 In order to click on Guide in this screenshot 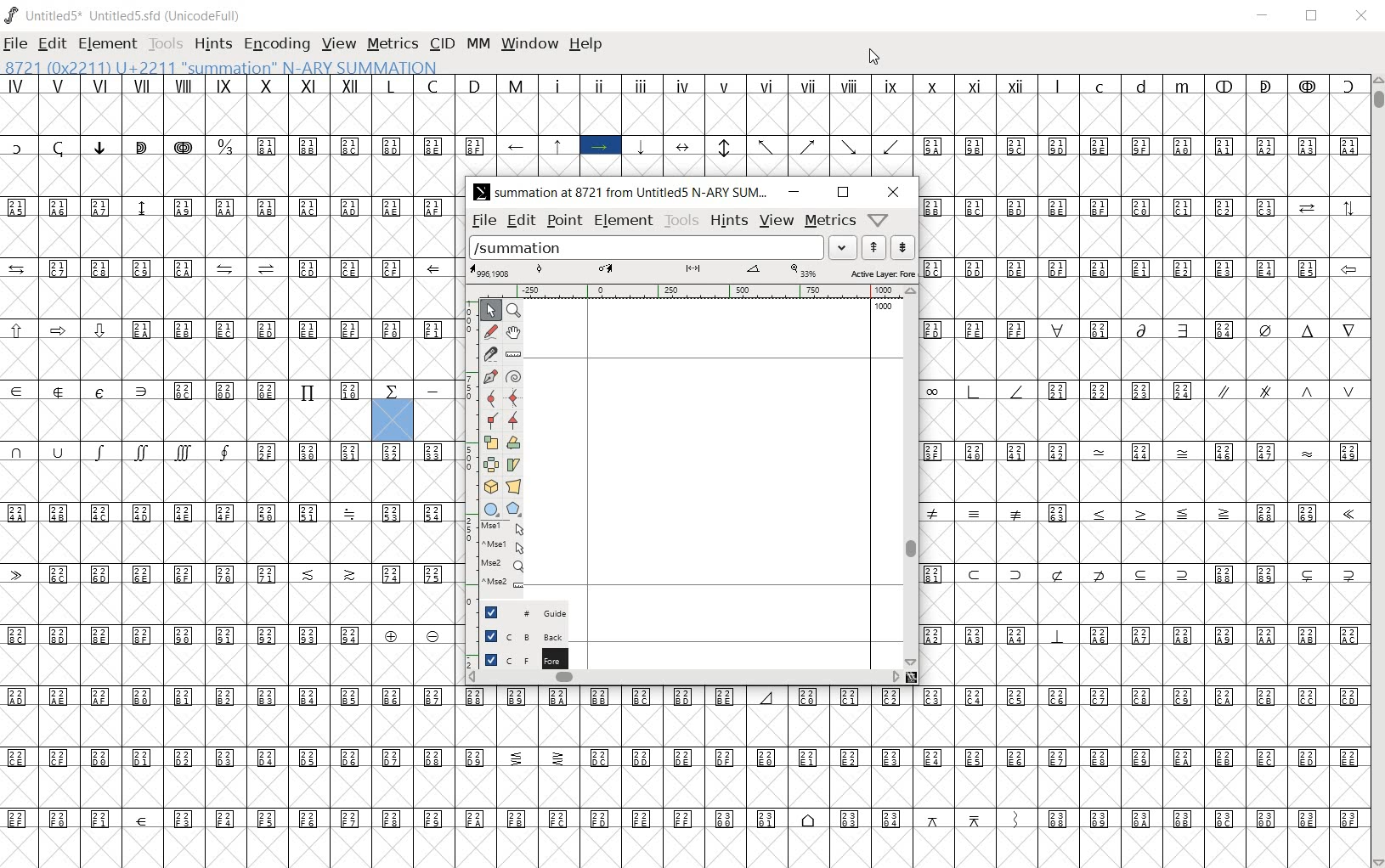, I will do `click(523, 610)`.